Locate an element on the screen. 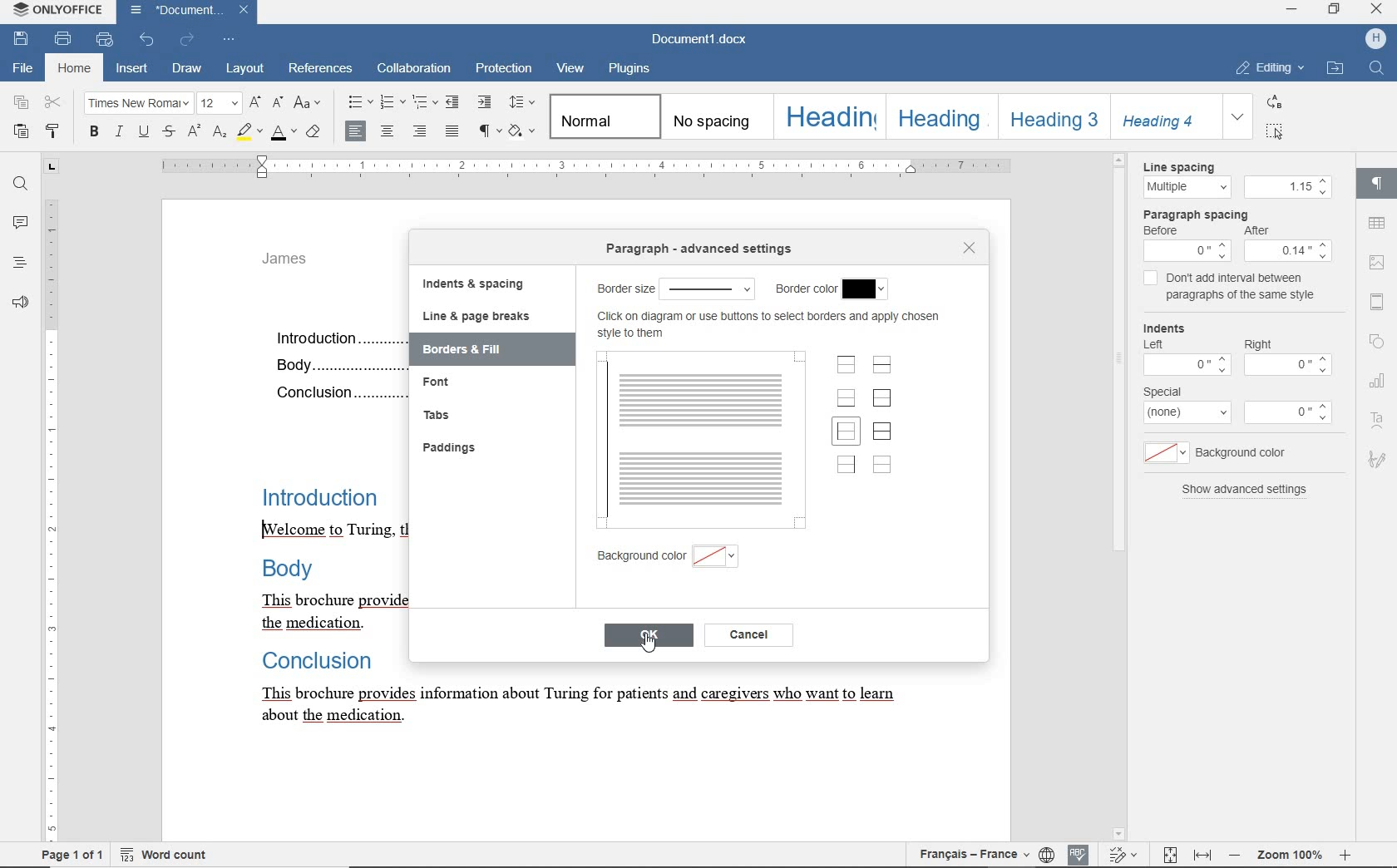 This screenshot has height=868, width=1397. chart is located at coordinates (1378, 383).